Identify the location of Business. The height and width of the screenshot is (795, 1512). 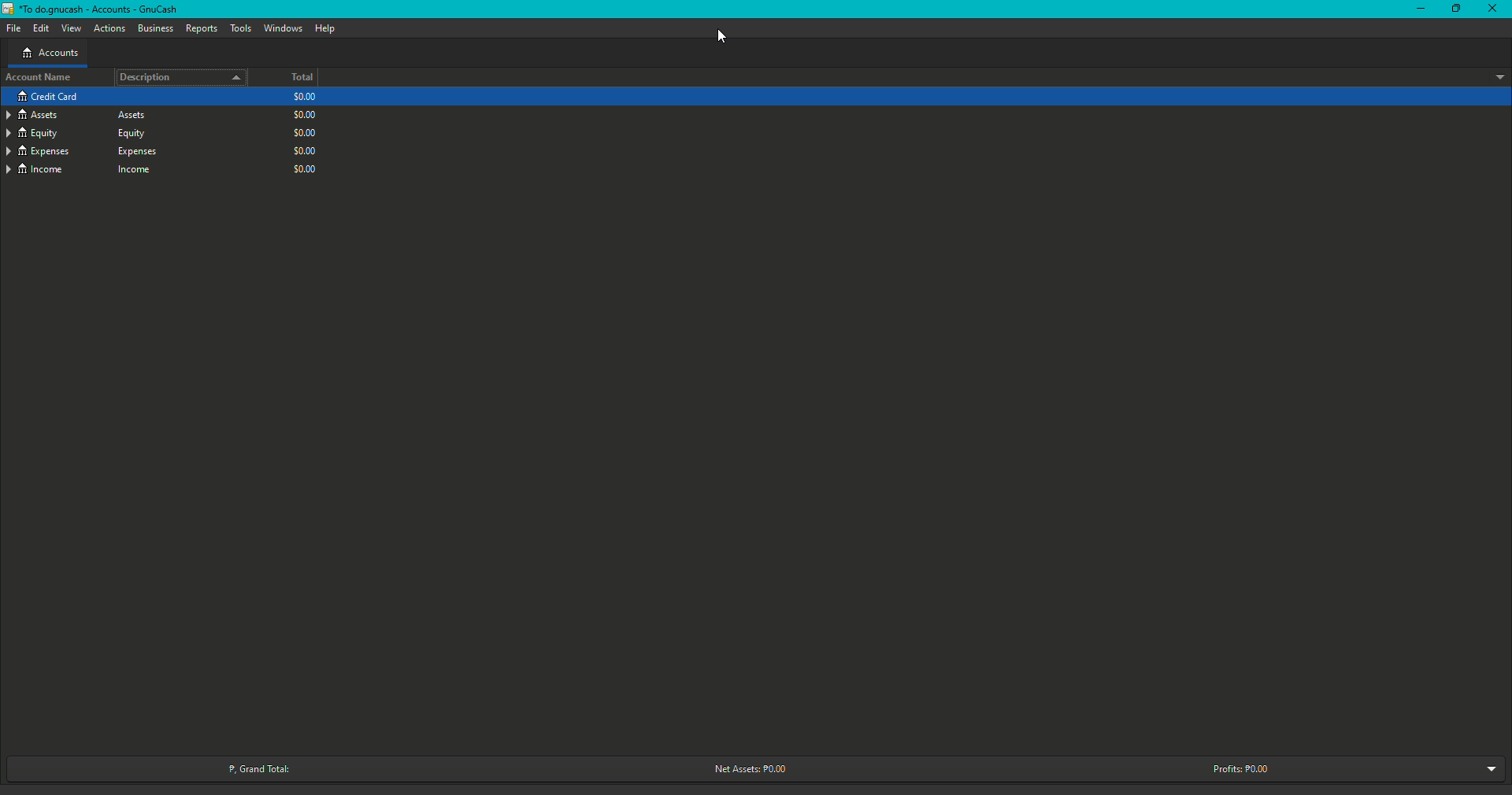
(153, 27).